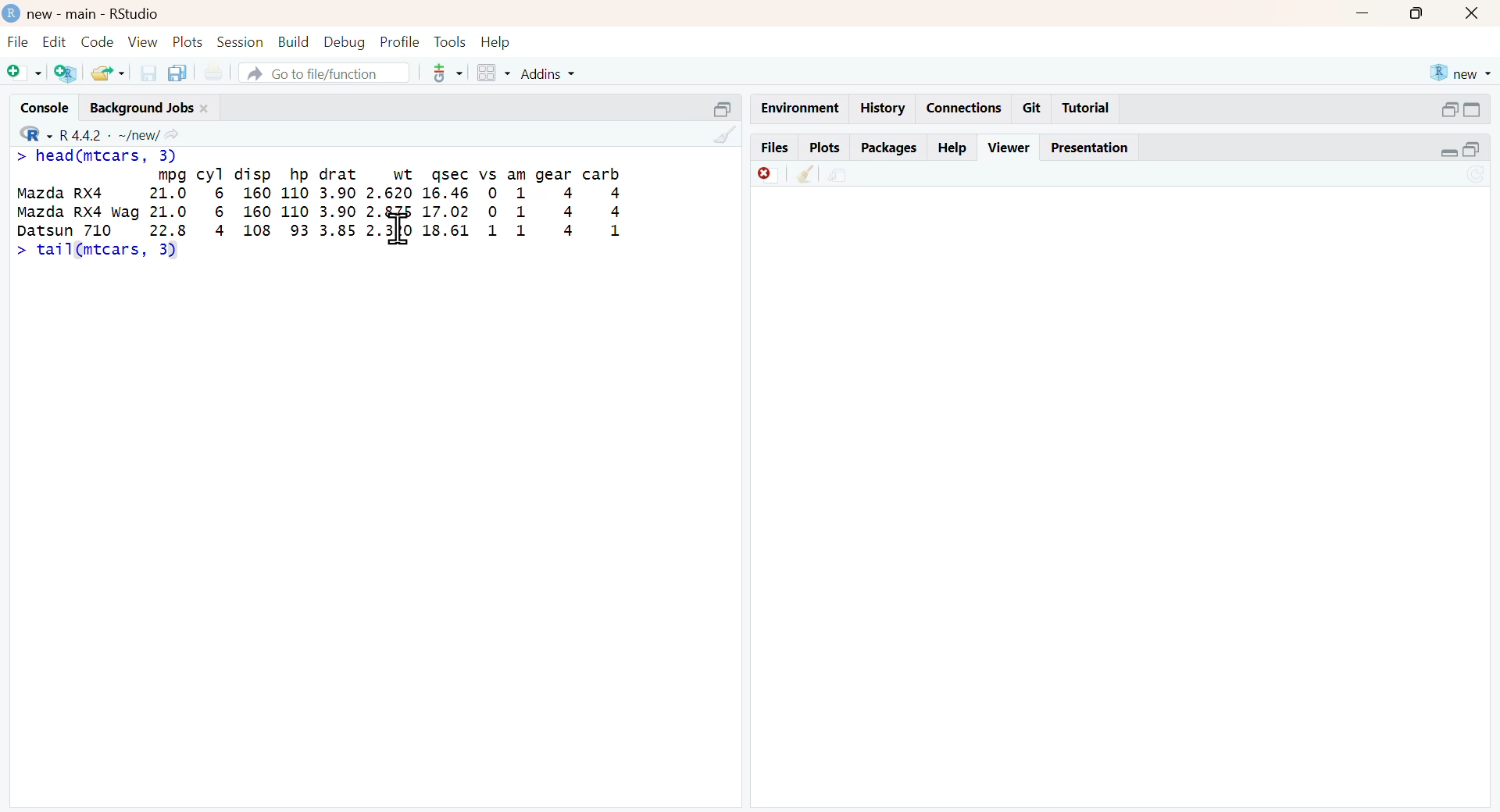 This screenshot has width=1500, height=812. Describe the element at coordinates (39, 104) in the screenshot. I see `Console` at that location.